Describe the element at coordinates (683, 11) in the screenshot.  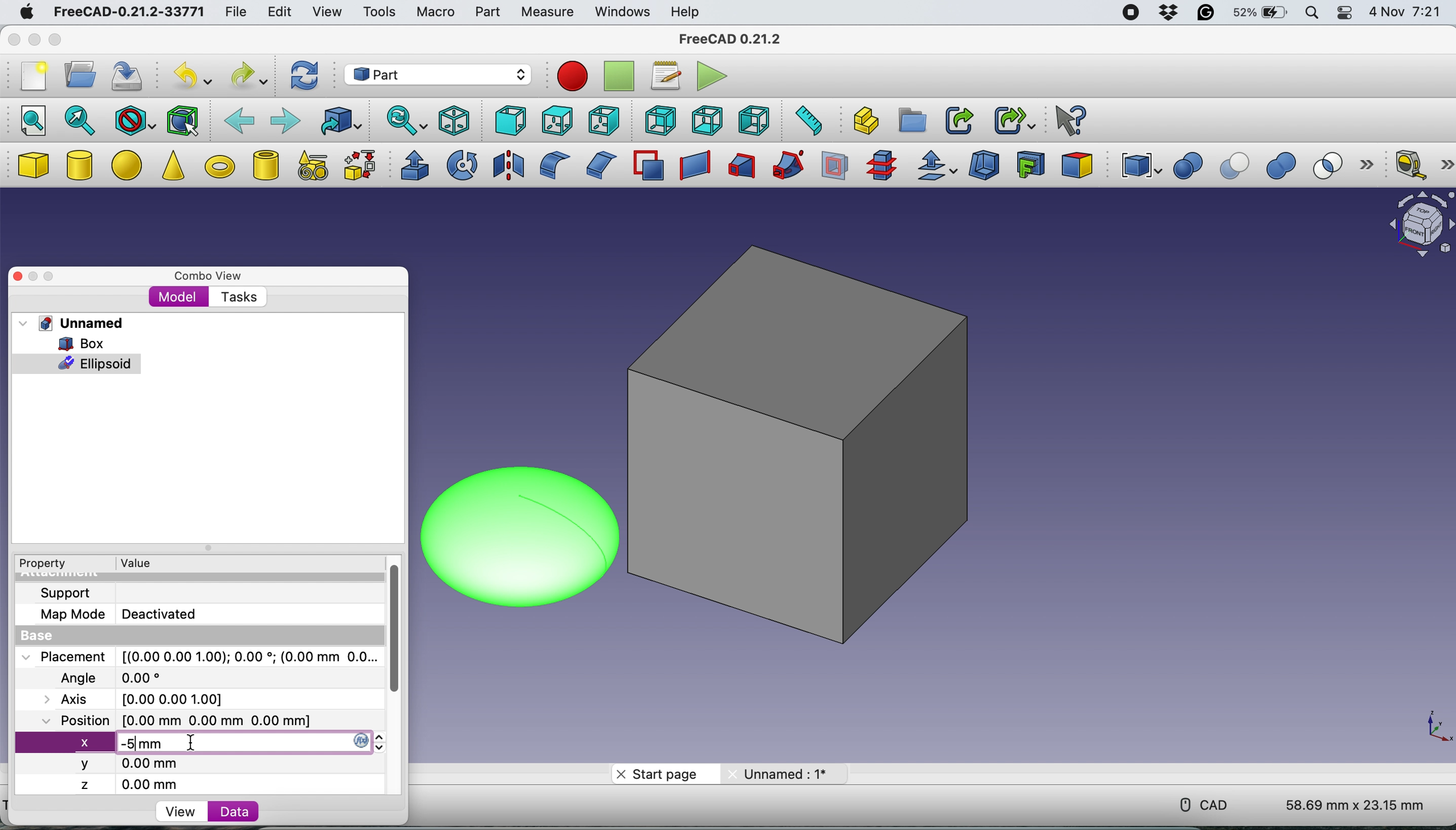
I see `help` at that location.